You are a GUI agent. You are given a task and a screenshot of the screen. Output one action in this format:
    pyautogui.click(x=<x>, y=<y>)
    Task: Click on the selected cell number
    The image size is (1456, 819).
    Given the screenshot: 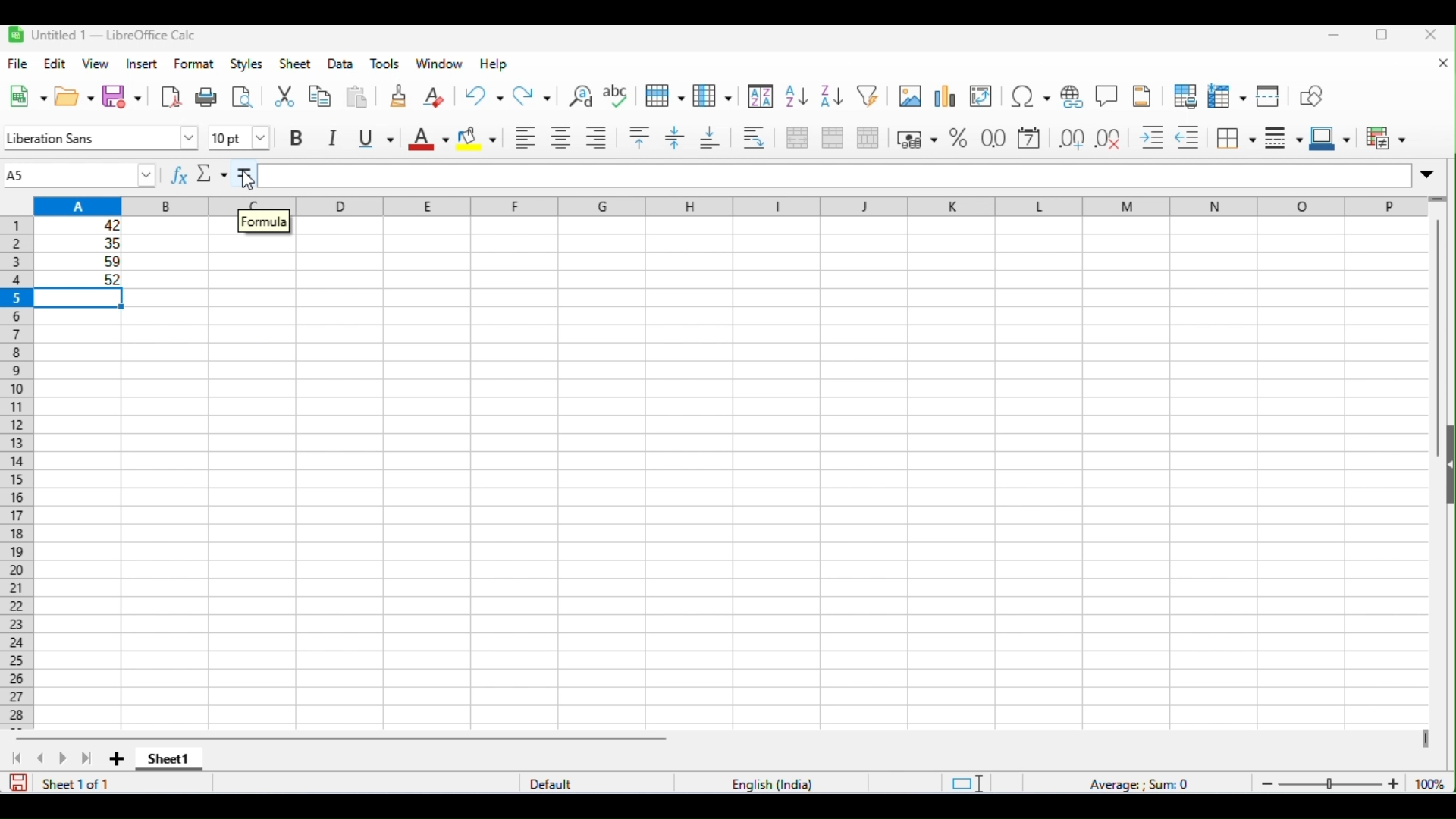 What is the action you would take?
    pyautogui.click(x=67, y=173)
    